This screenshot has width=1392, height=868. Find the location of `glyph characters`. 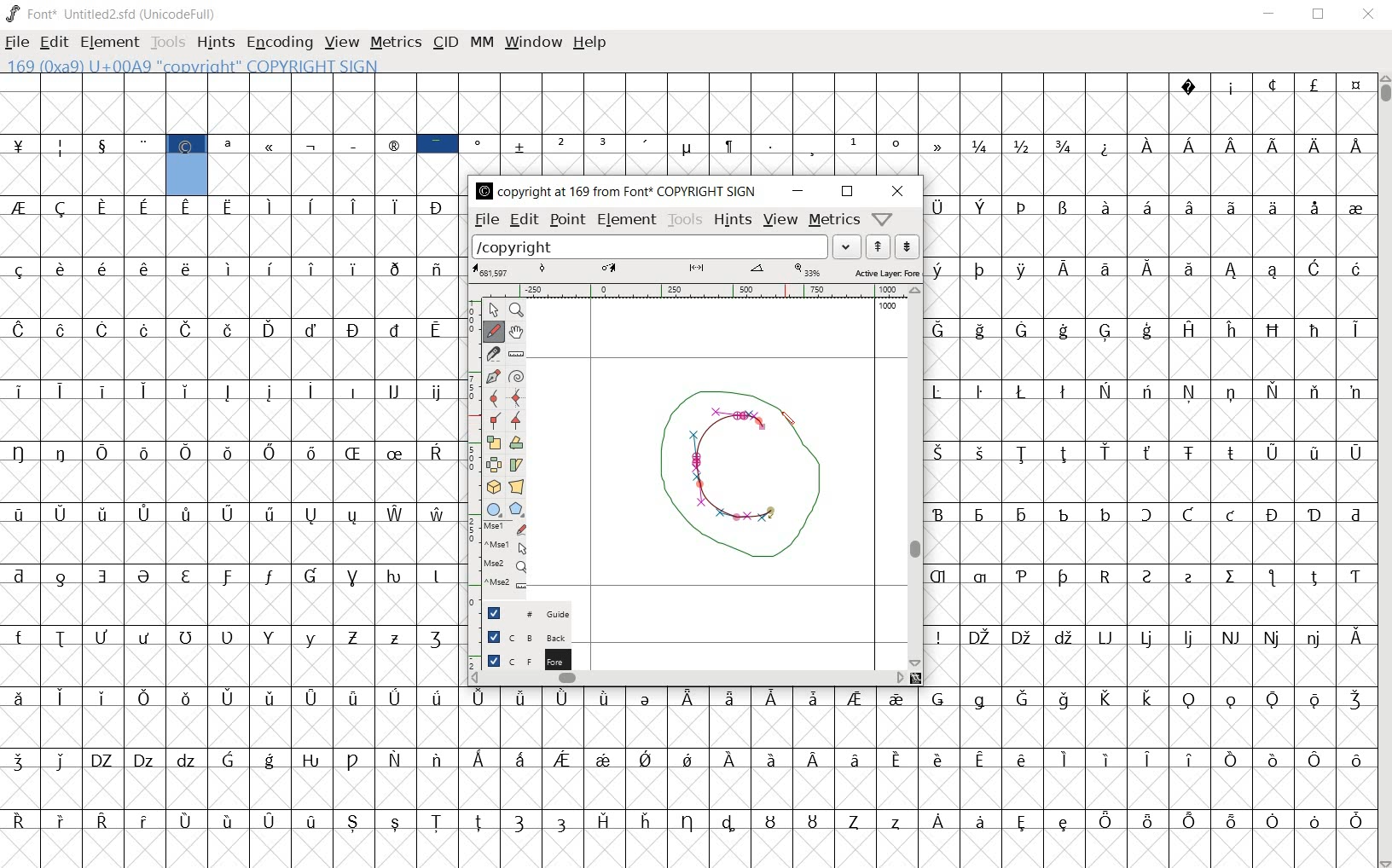

glyph characters is located at coordinates (917, 775).